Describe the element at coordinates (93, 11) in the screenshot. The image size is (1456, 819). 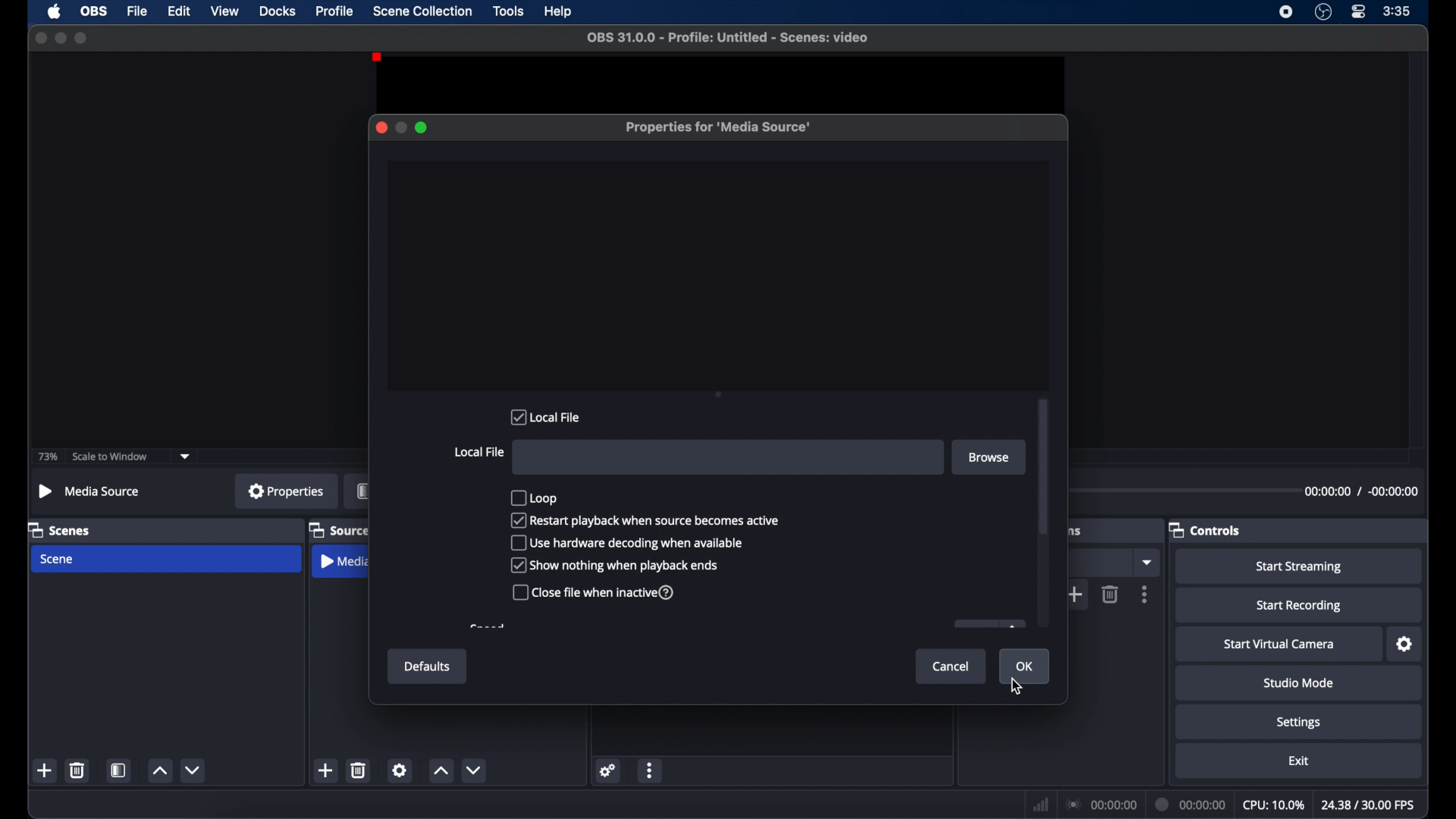
I see `obs` at that location.